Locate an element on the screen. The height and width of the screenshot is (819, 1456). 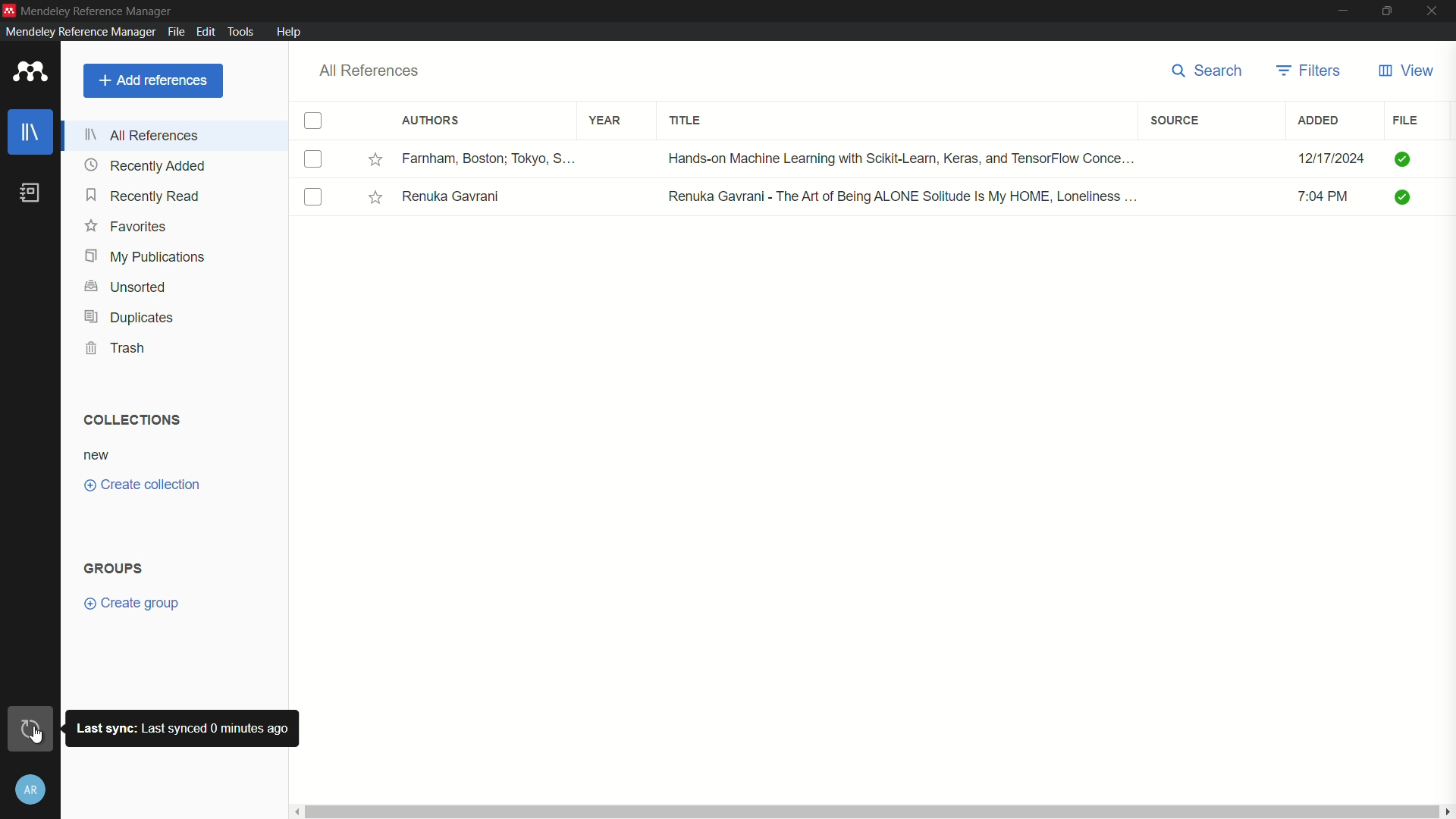
app icon is located at coordinates (27, 72).